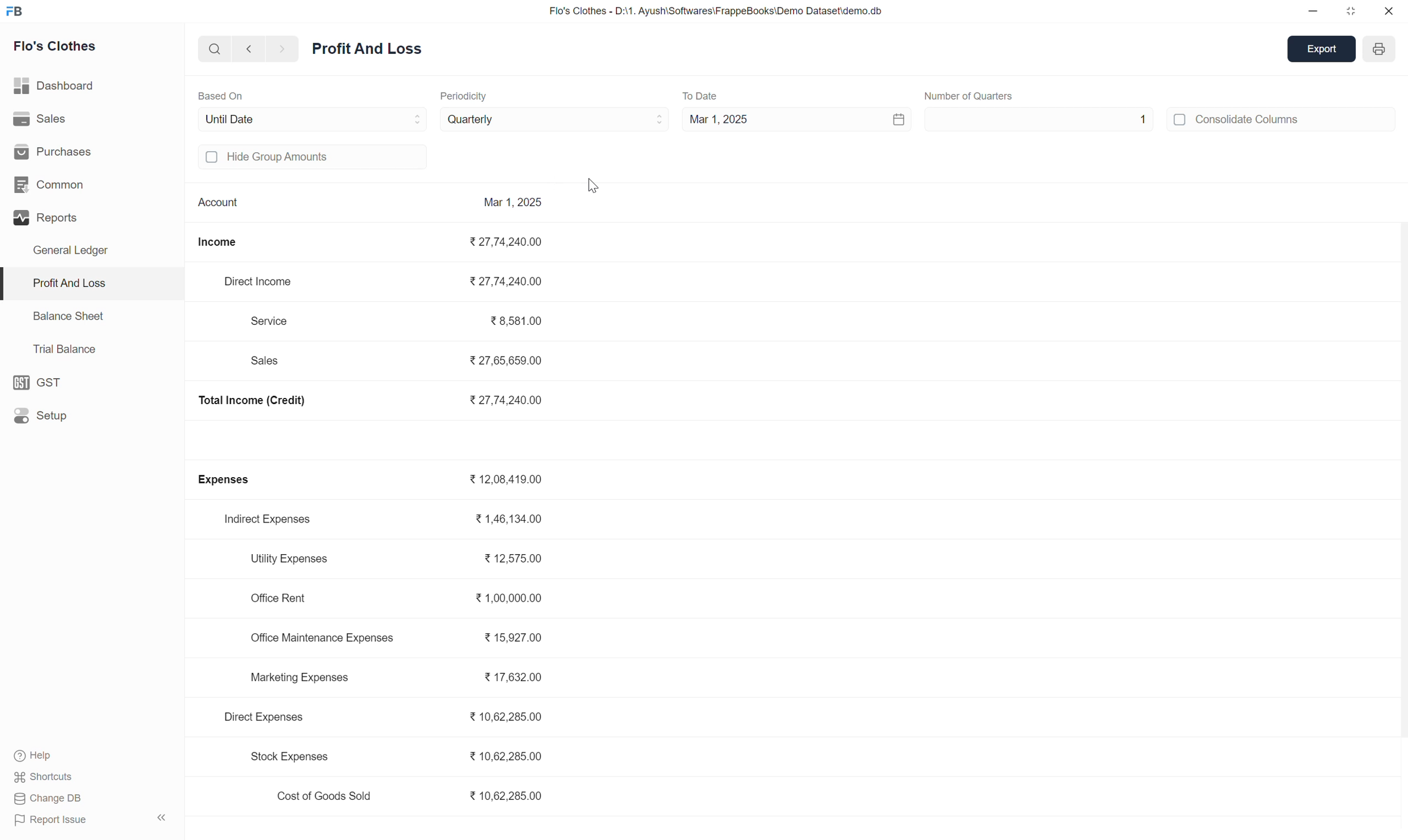 The image size is (1408, 840). What do you see at coordinates (240, 119) in the screenshot?
I see `Until Date` at bounding box center [240, 119].